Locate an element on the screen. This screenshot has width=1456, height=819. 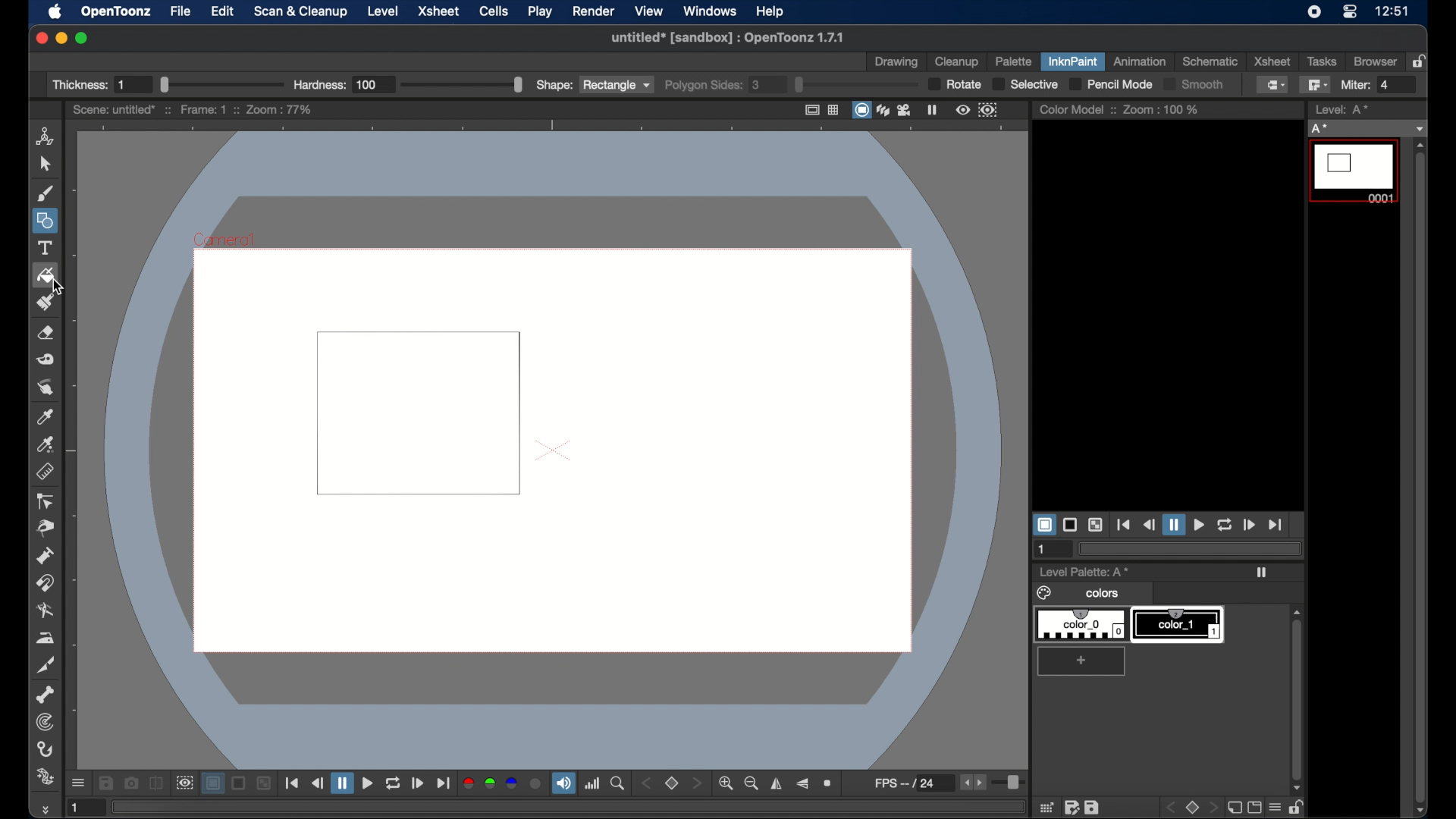
hook tool is located at coordinates (45, 749).